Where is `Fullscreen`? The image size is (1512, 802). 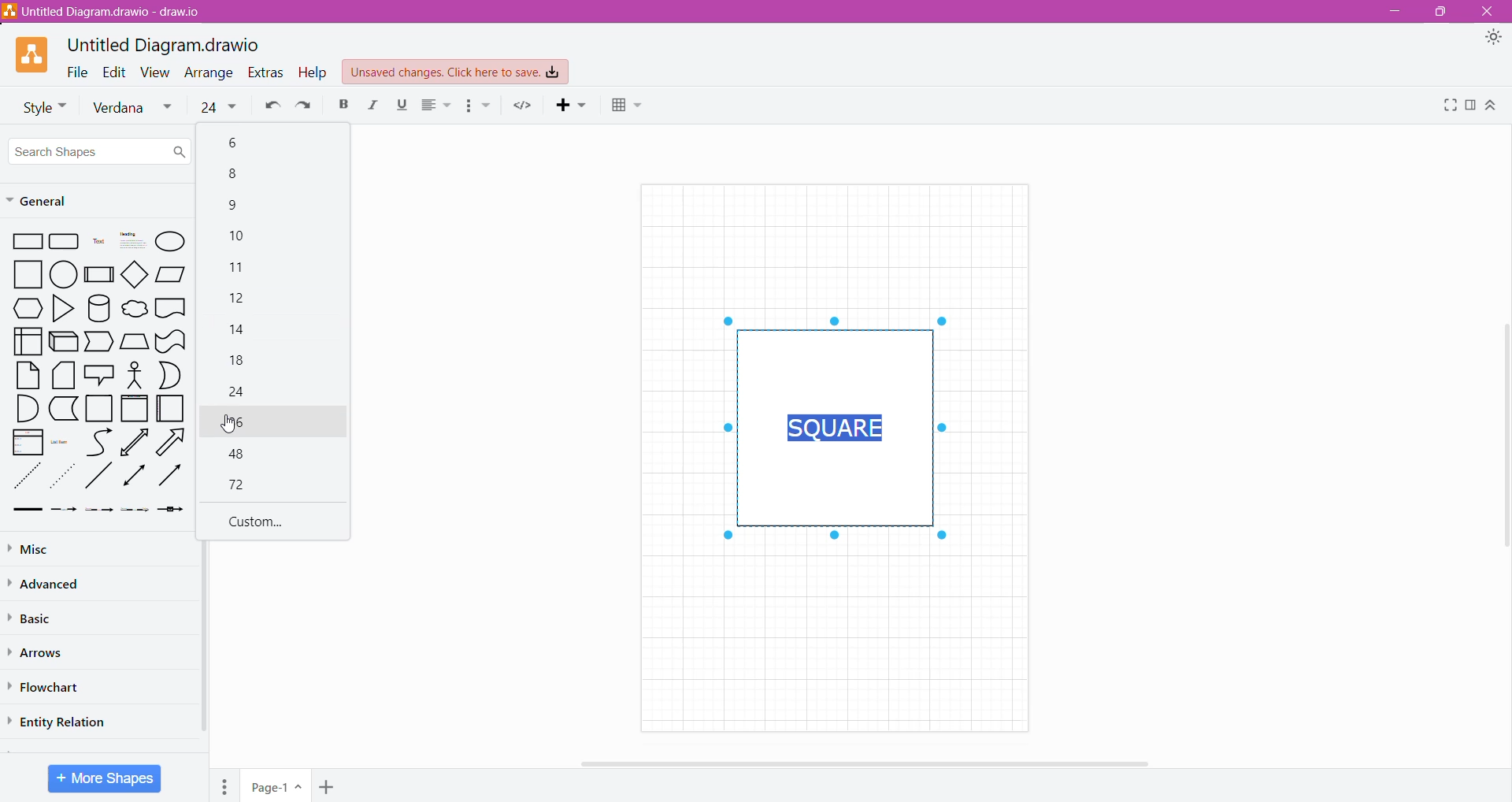
Fullscreen is located at coordinates (1447, 107).